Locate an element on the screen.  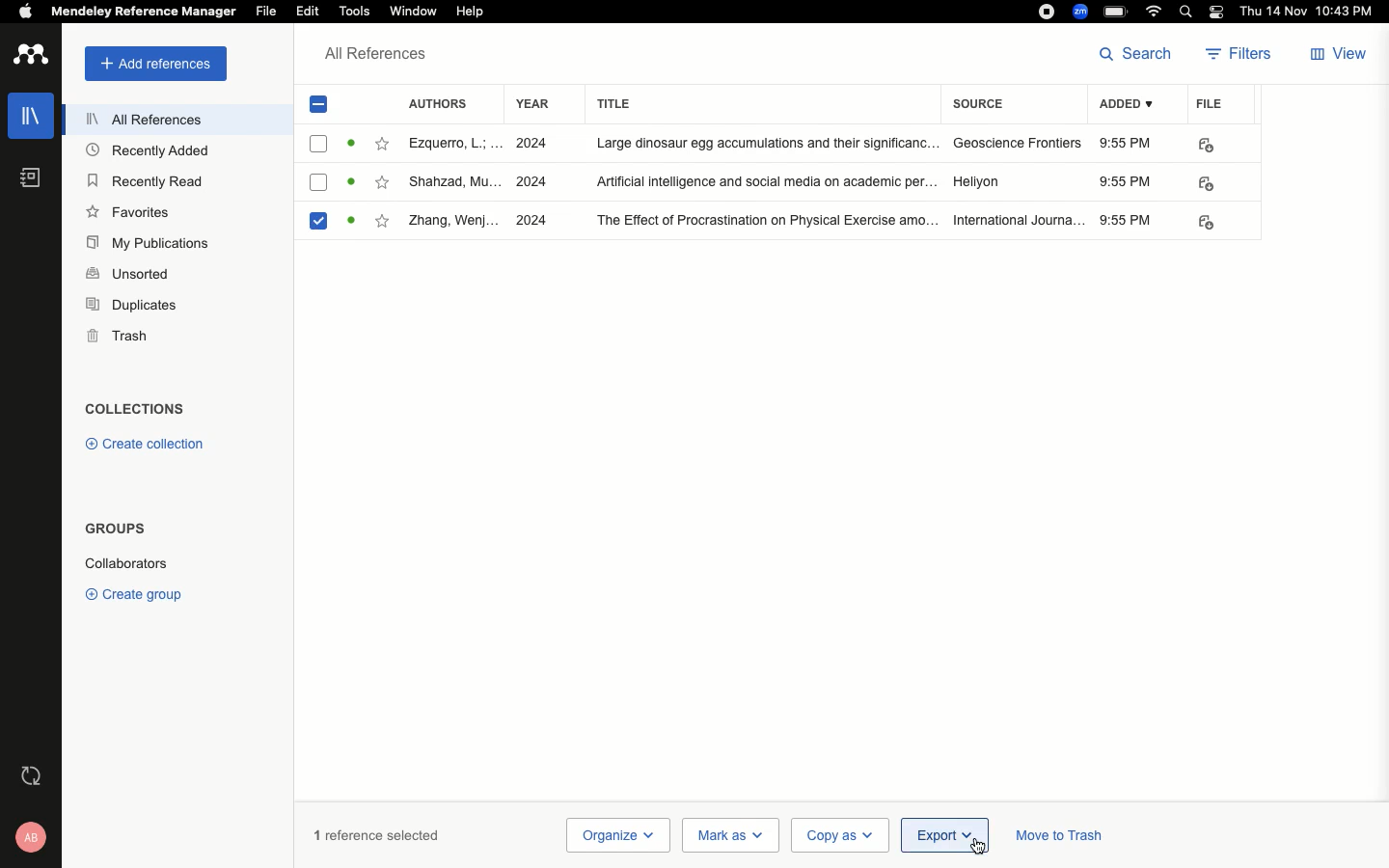
pdf is located at coordinates (1208, 146).